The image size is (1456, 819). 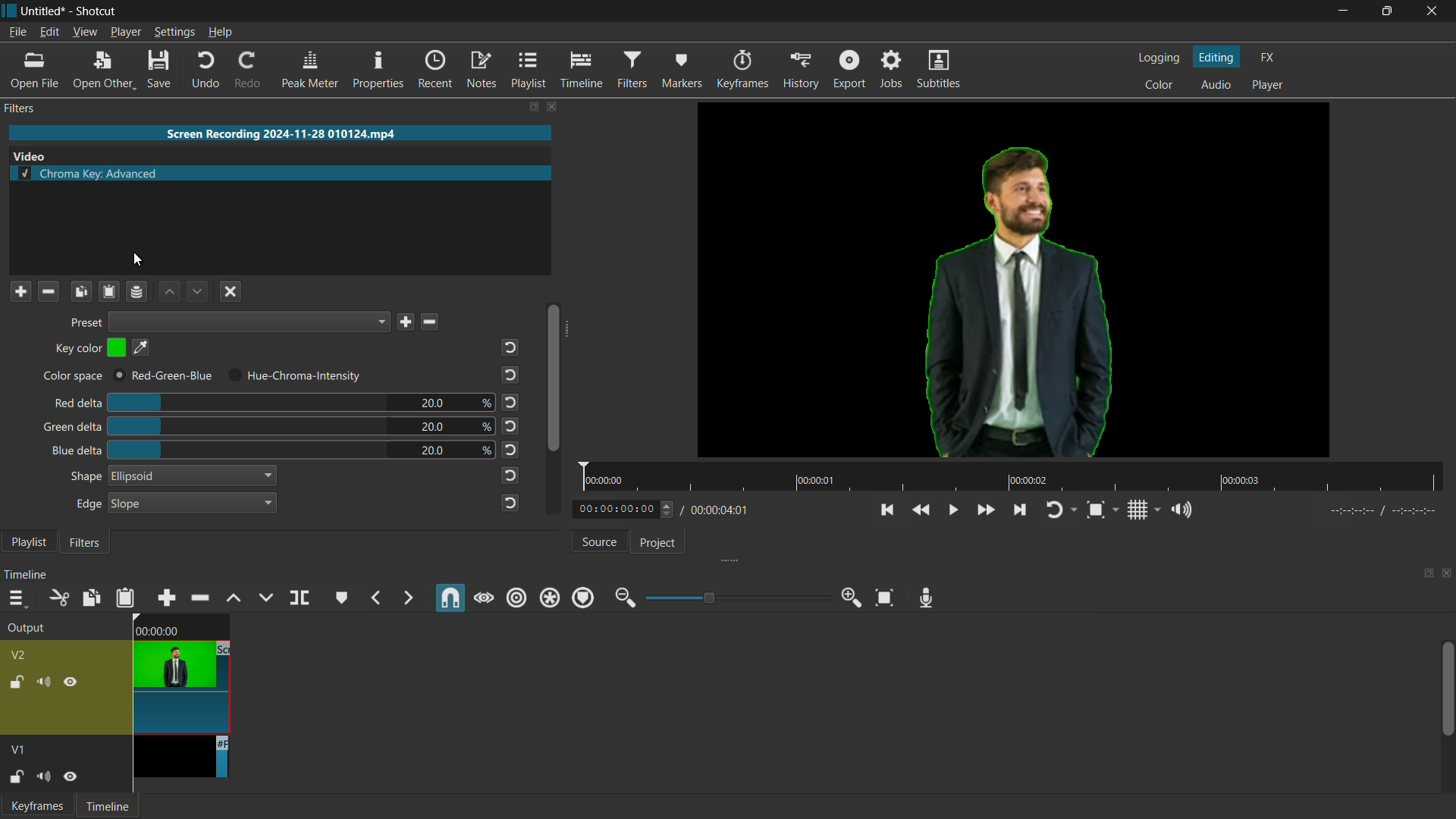 I want to click on Minus, so click(x=49, y=291).